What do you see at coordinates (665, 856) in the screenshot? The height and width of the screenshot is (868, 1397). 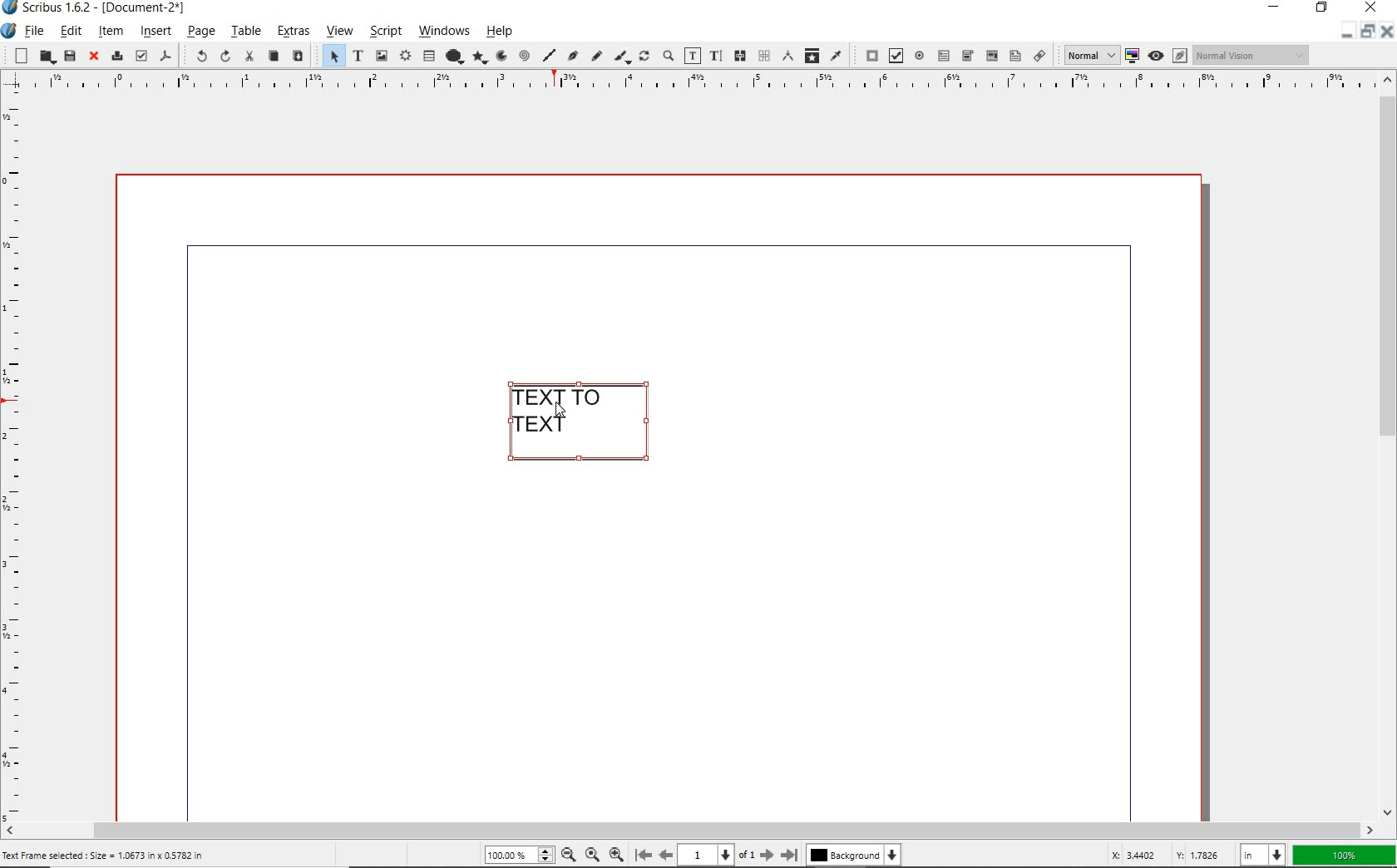 I see `move to previous` at bounding box center [665, 856].